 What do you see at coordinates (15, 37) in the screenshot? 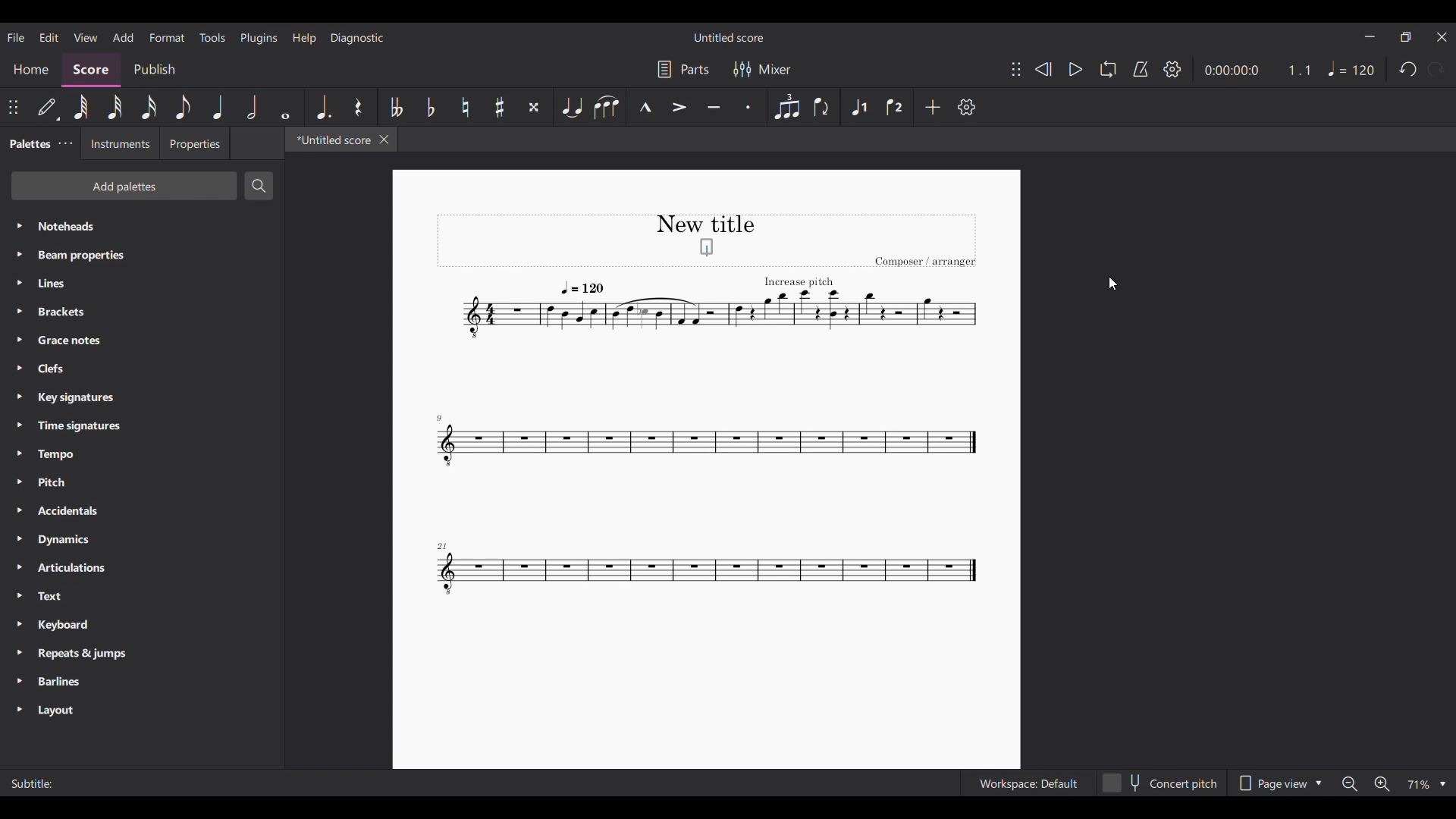
I see `File menu` at bounding box center [15, 37].